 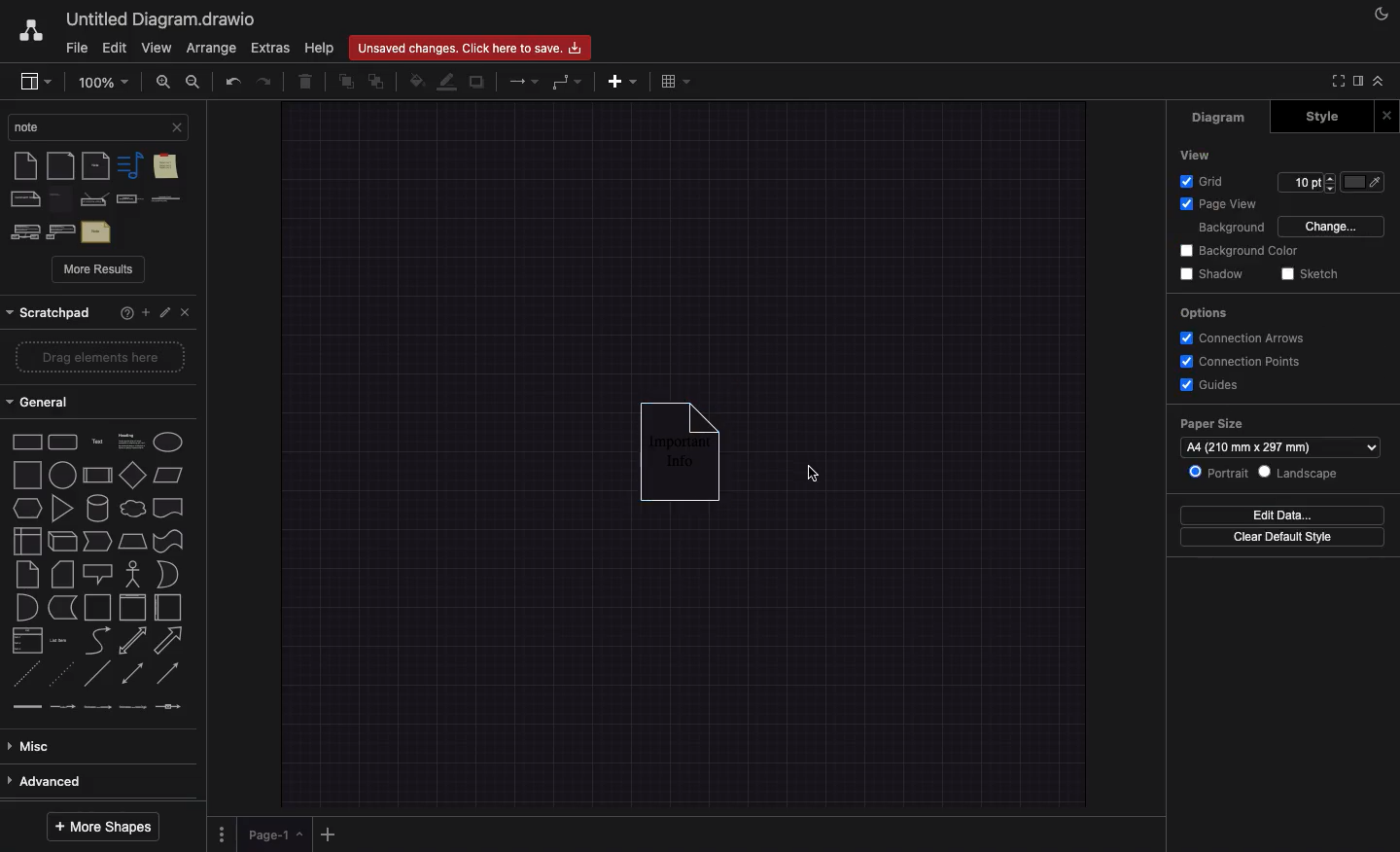 I want to click on Arrange, so click(x=211, y=48).